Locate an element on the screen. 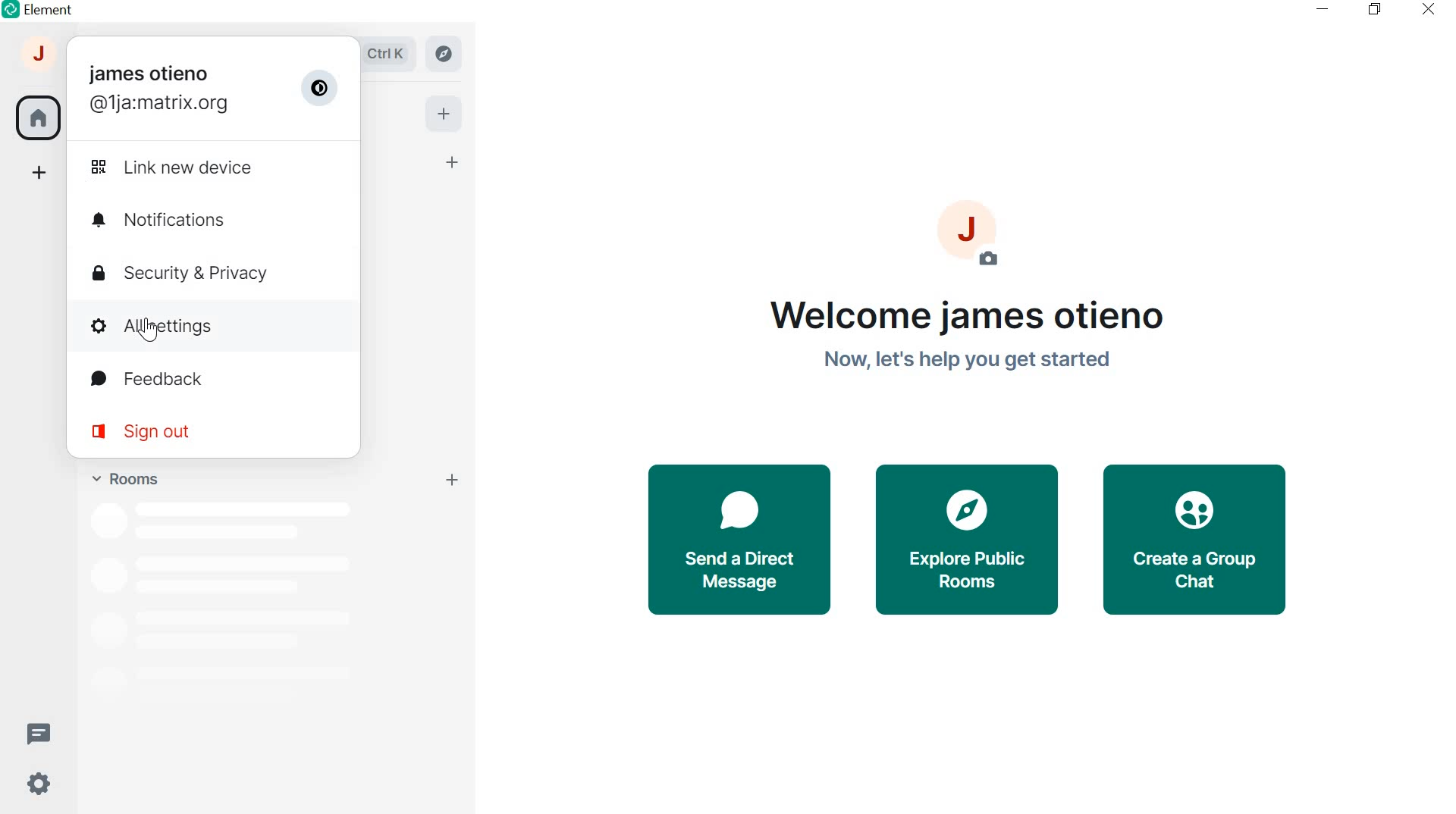 The image size is (1456, 814). display picture is located at coordinates (979, 233).